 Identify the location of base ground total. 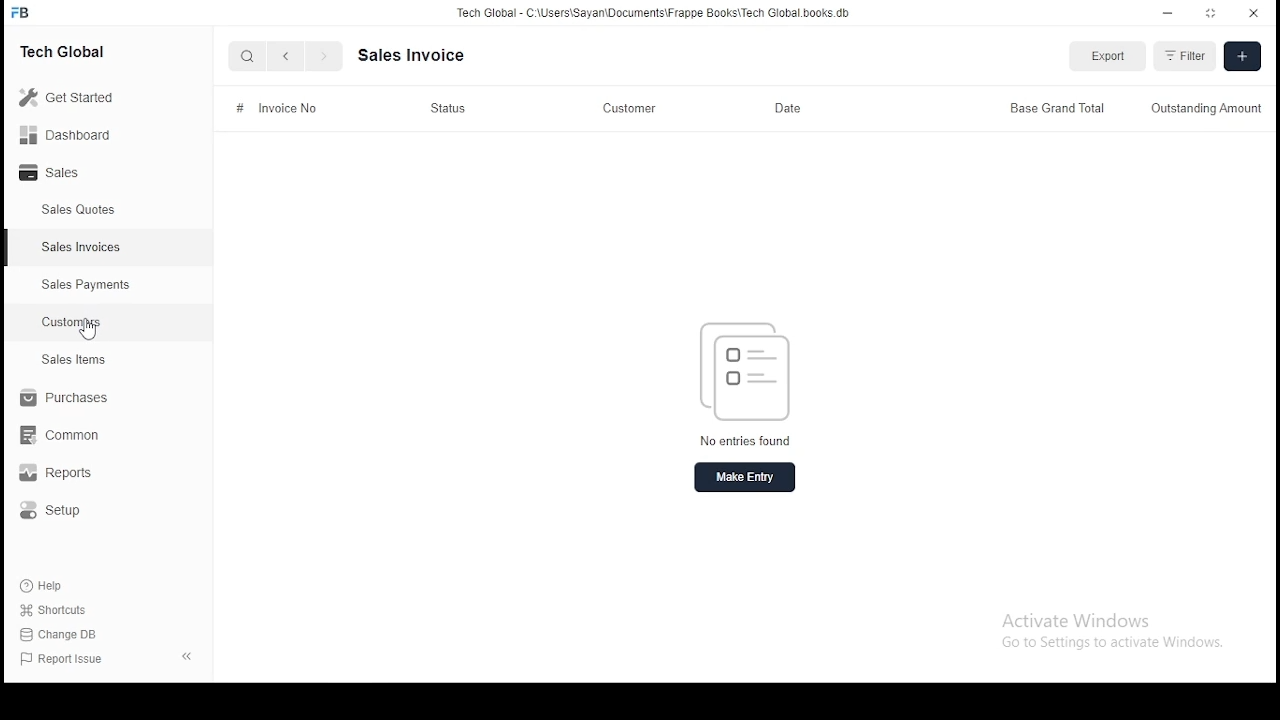
(1057, 109).